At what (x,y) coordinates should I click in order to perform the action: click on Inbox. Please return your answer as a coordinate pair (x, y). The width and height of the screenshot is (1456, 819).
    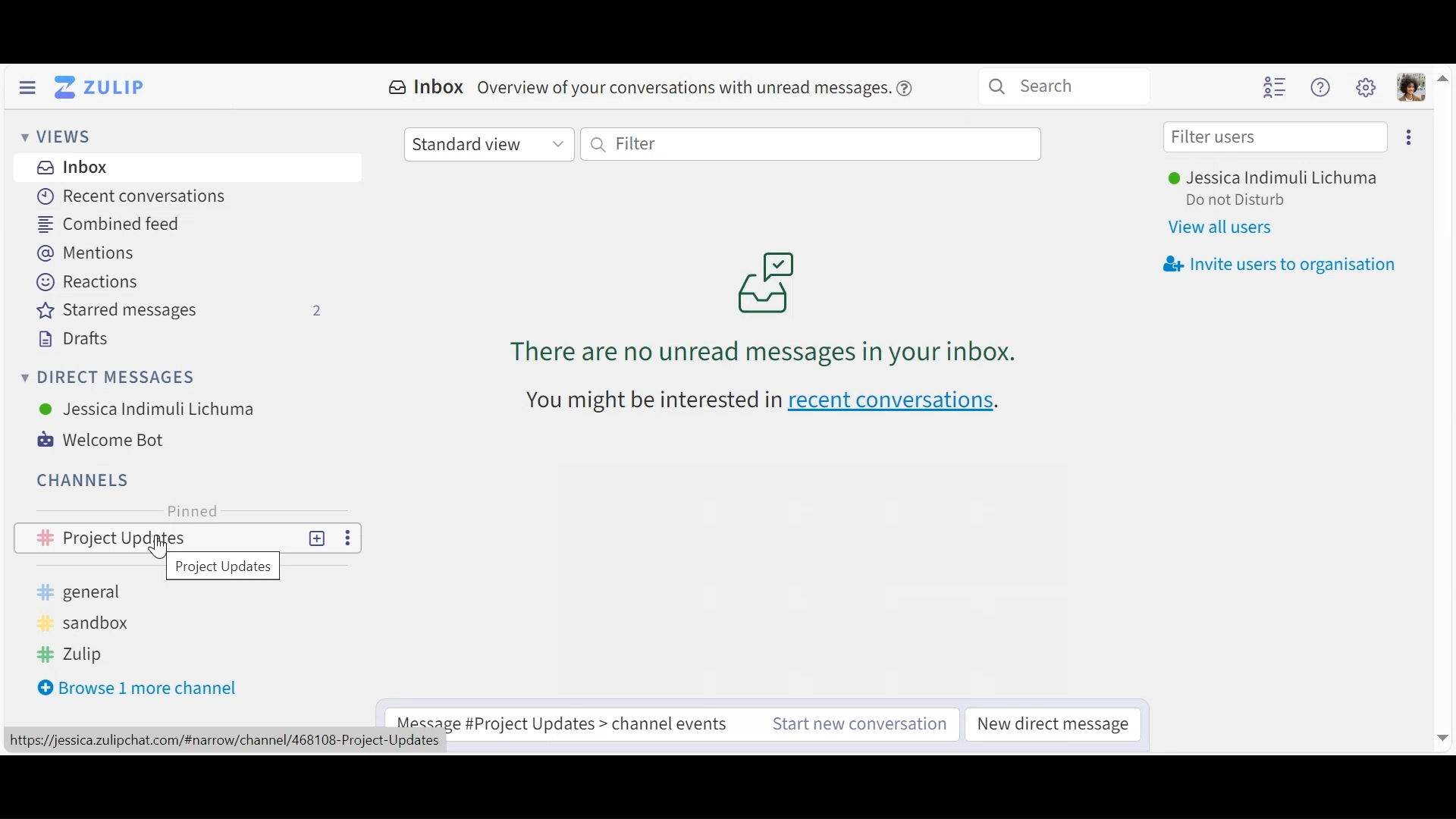
    Looking at the image, I should click on (71, 168).